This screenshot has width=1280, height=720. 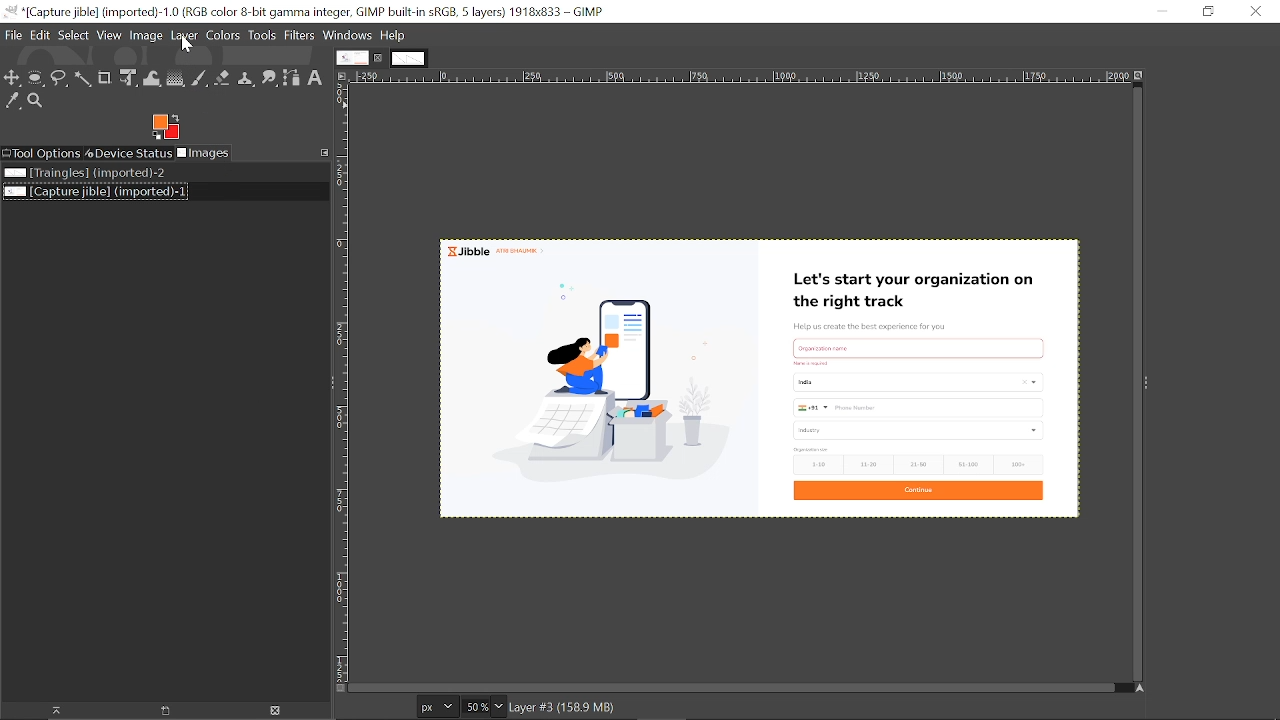 What do you see at coordinates (342, 76) in the screenshot?
I see `Access this image menu` at bounding box center [342, 76].